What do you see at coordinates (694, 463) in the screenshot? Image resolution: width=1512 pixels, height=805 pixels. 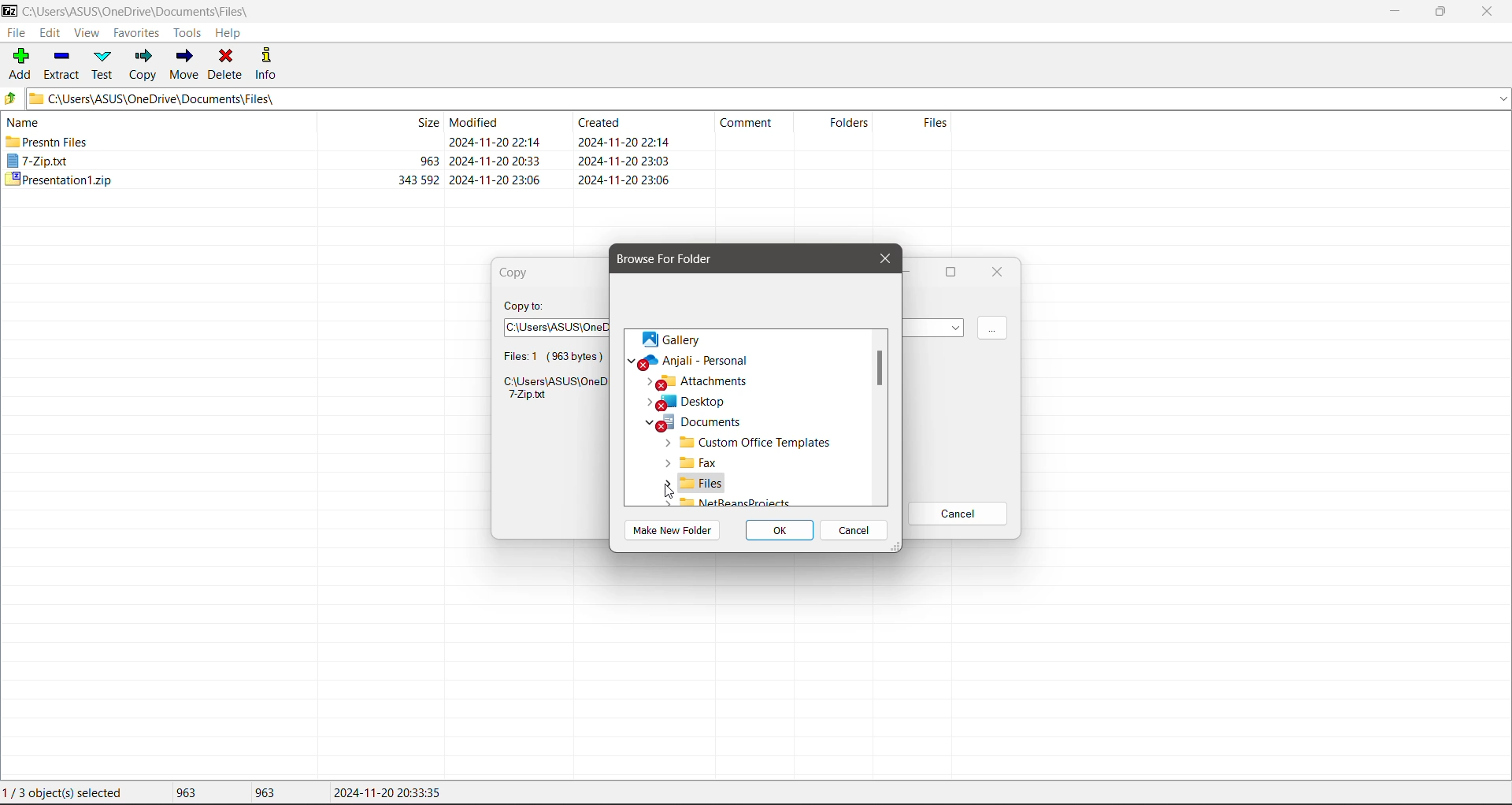 I see `Fax` at bounding box center [694, 463].